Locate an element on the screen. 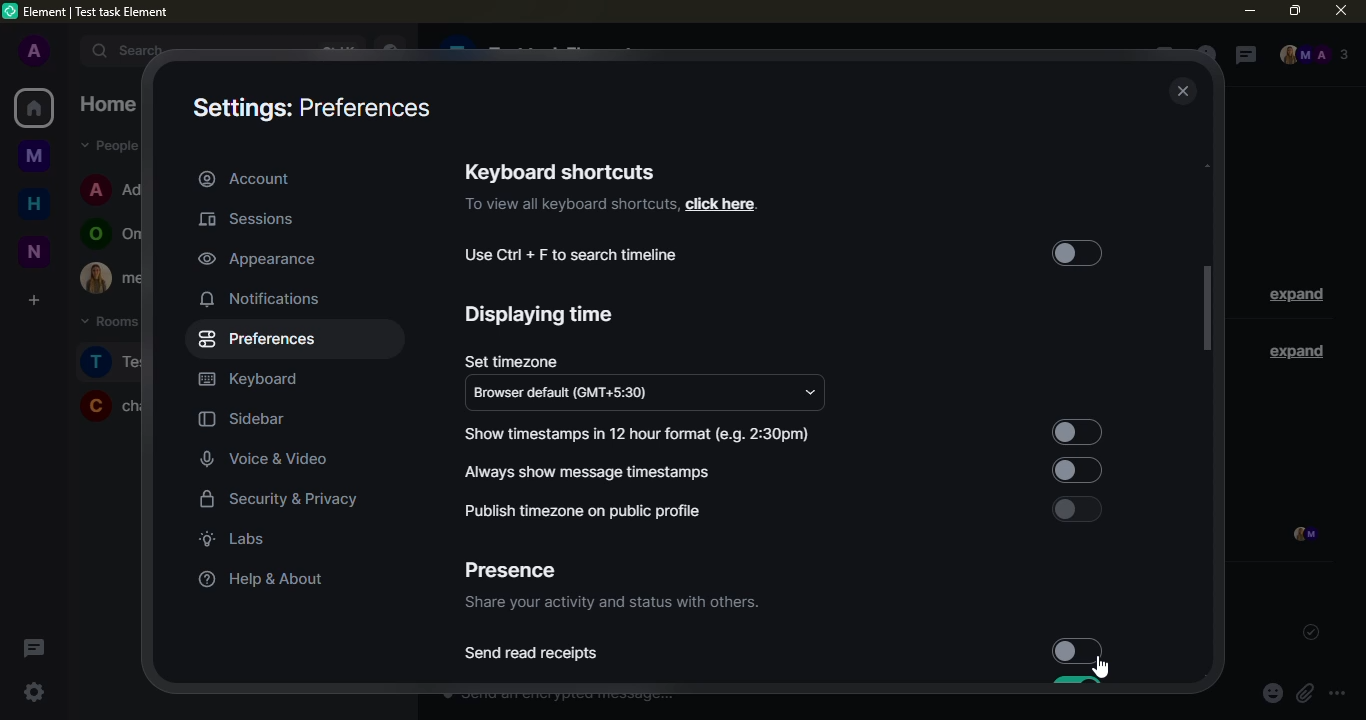 Image resolution: width=1366 pixels, height=720 pixels. sent is located at coordinates (1306, 632).